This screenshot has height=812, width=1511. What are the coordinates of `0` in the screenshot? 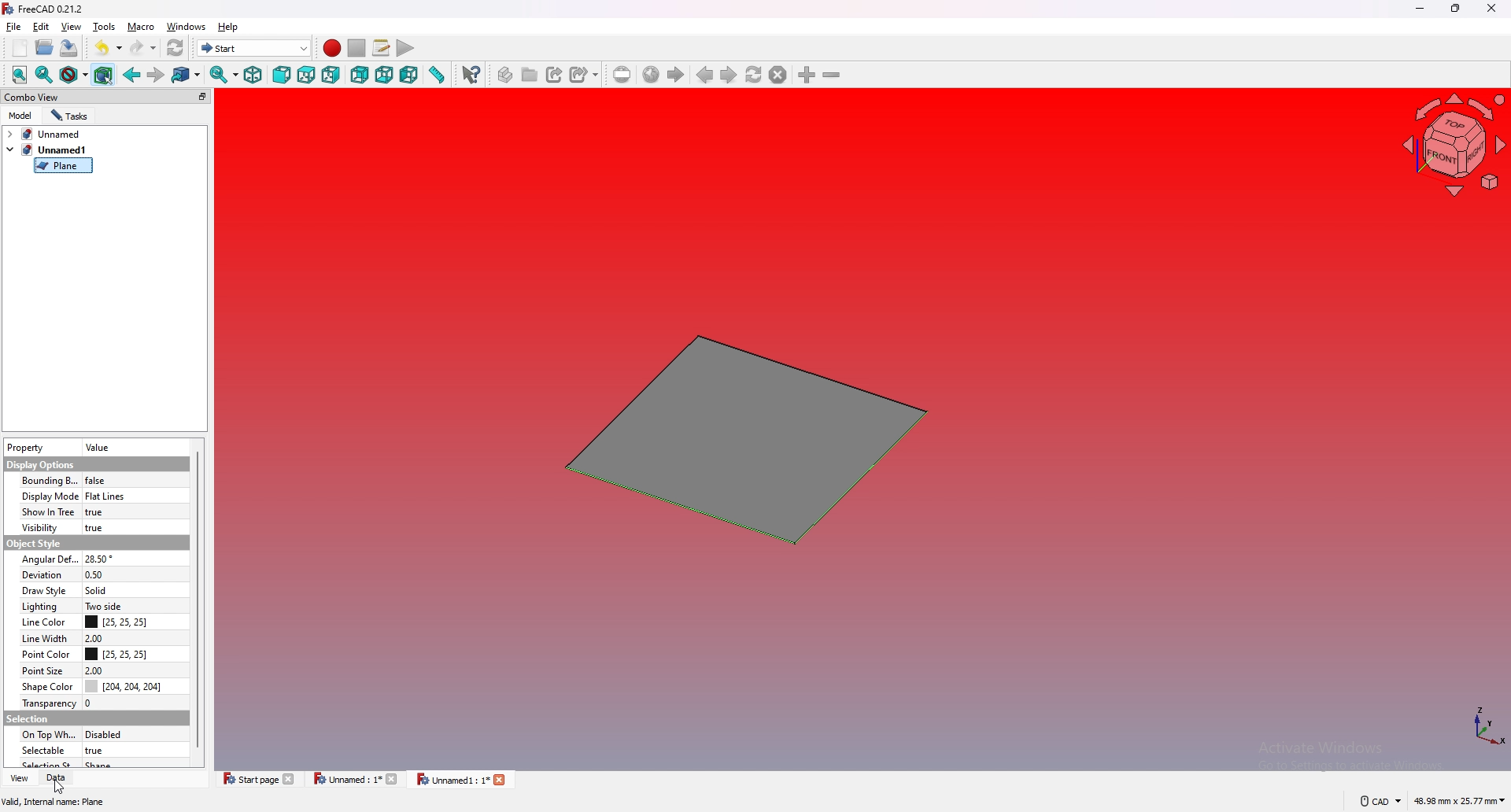 It's located at (95, 703).